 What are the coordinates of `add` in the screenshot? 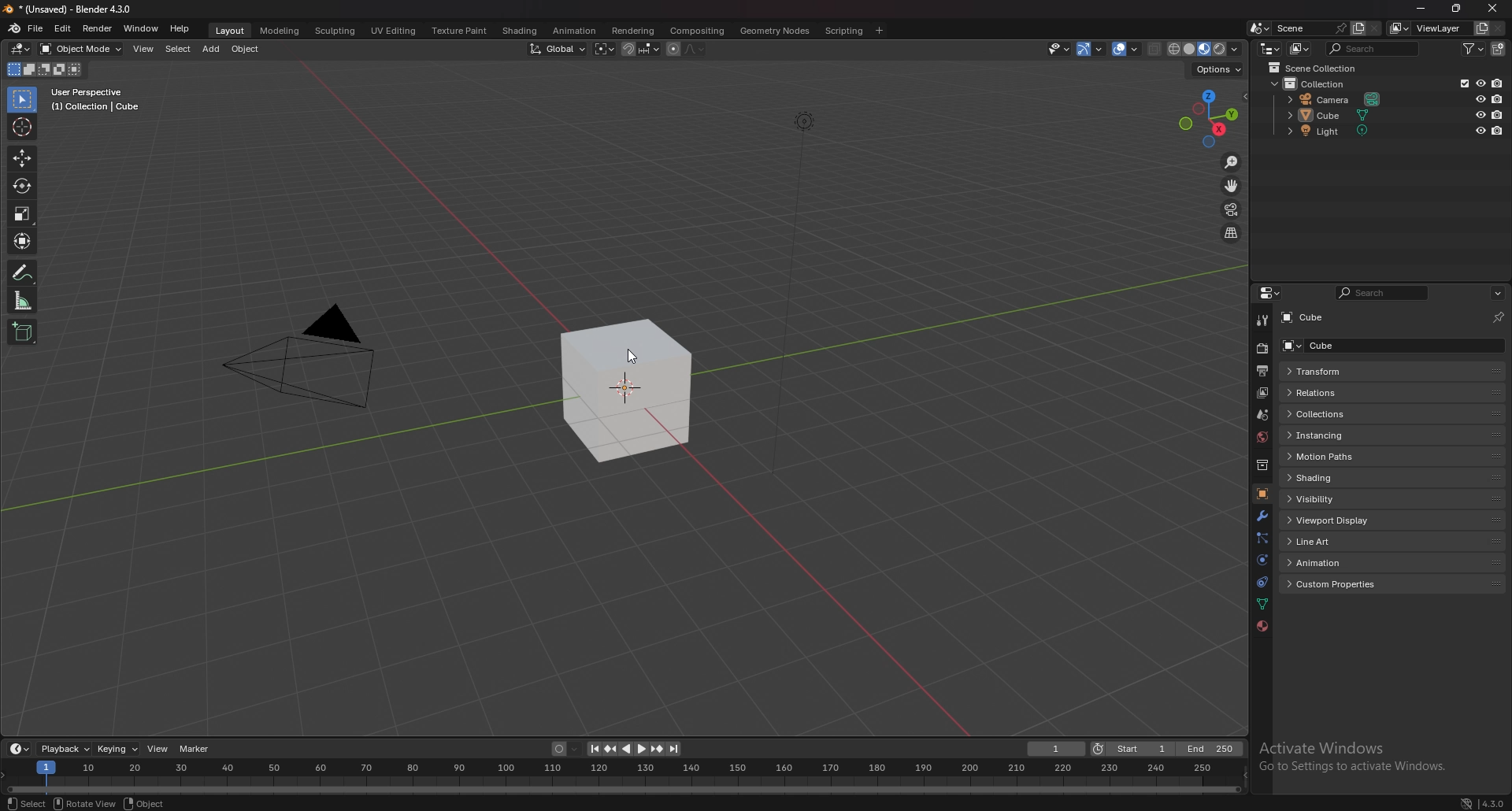 It's located at (210, 49).